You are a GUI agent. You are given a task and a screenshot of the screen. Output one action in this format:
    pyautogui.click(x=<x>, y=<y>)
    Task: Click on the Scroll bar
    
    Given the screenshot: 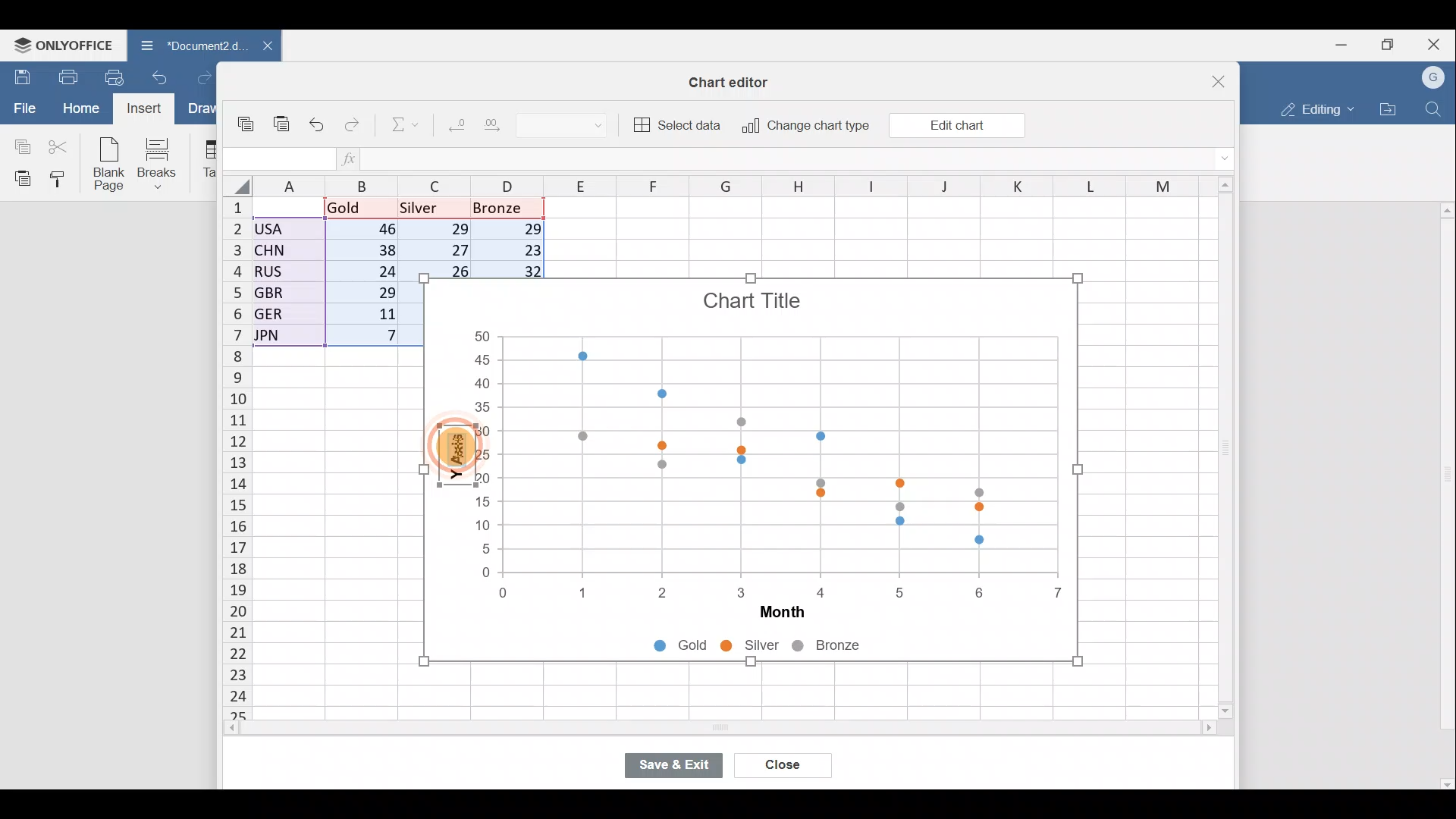 What is the action you would take?
    pyautogui.click(x=1444, y=495)
    